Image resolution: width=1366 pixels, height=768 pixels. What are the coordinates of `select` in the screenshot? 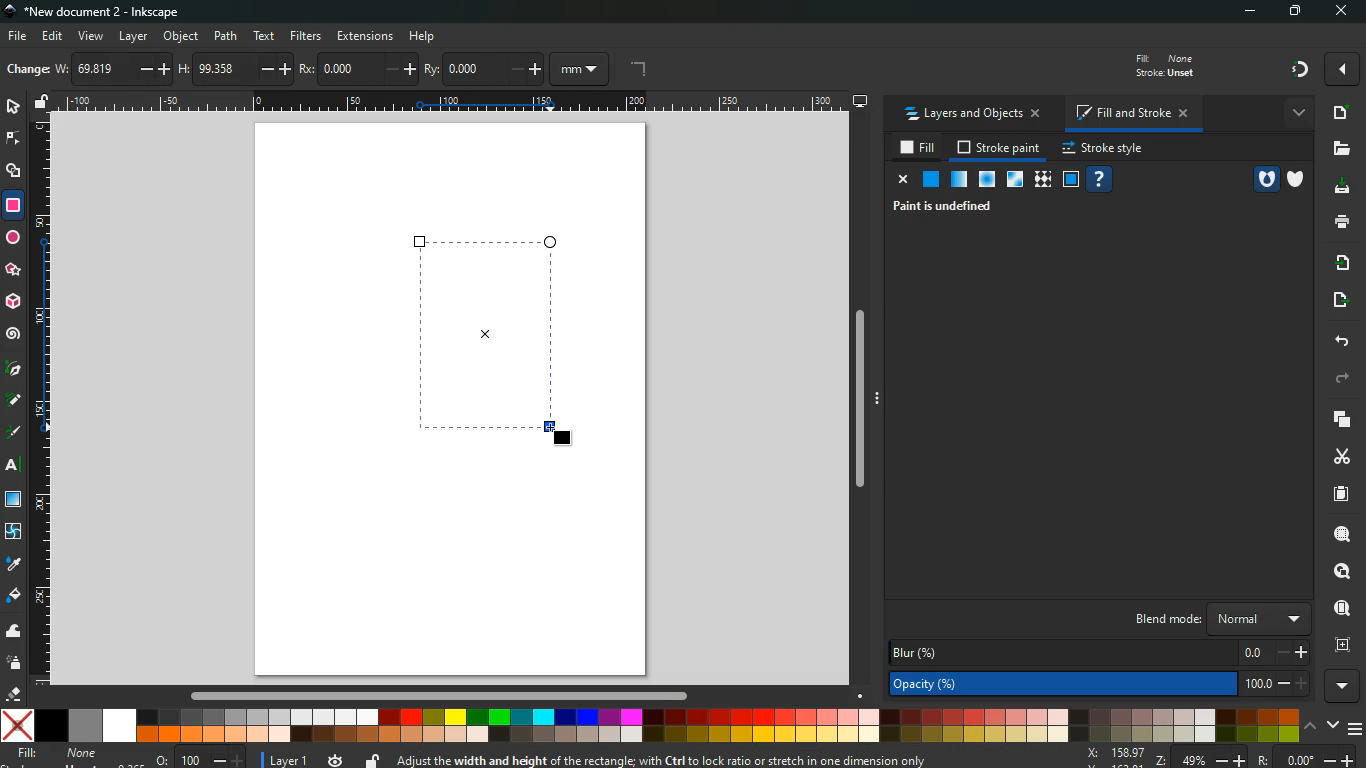 It's located at (12, 108).